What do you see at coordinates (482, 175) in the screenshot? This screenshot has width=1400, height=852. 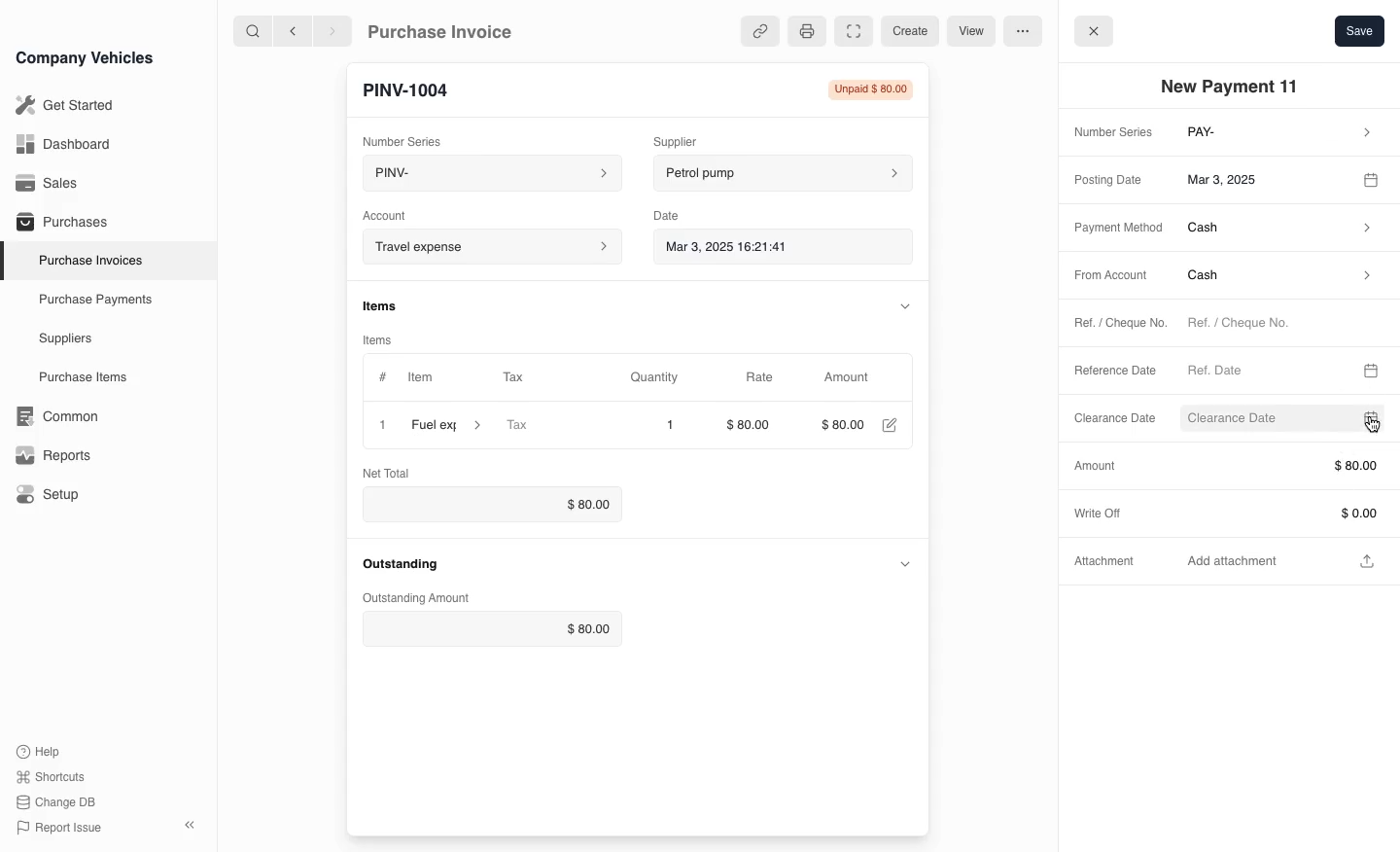 I see `PINV-` at bounding box center [482, 175].